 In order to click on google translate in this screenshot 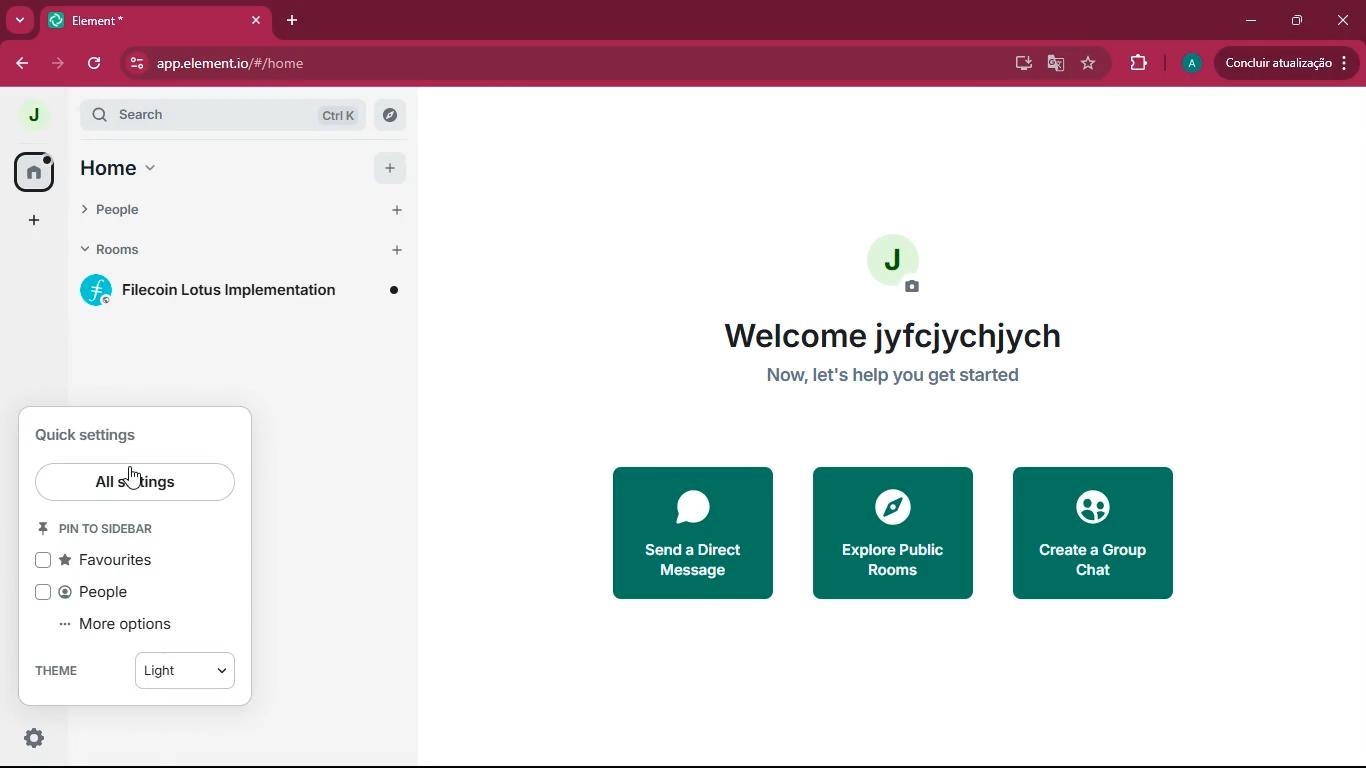, I will do `click(1054, 63)`.